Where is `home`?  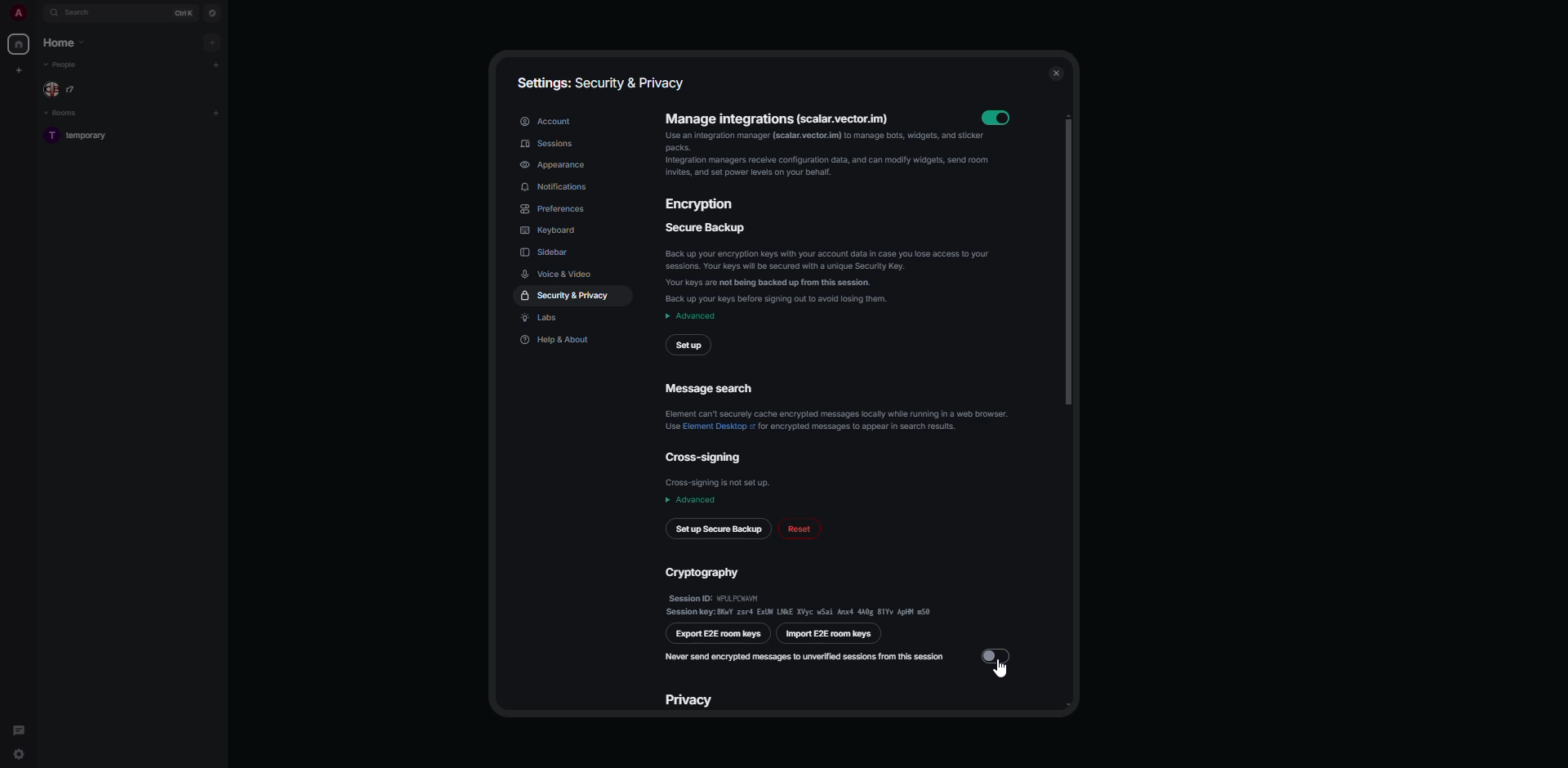
home is located at coordinates (18, 46).